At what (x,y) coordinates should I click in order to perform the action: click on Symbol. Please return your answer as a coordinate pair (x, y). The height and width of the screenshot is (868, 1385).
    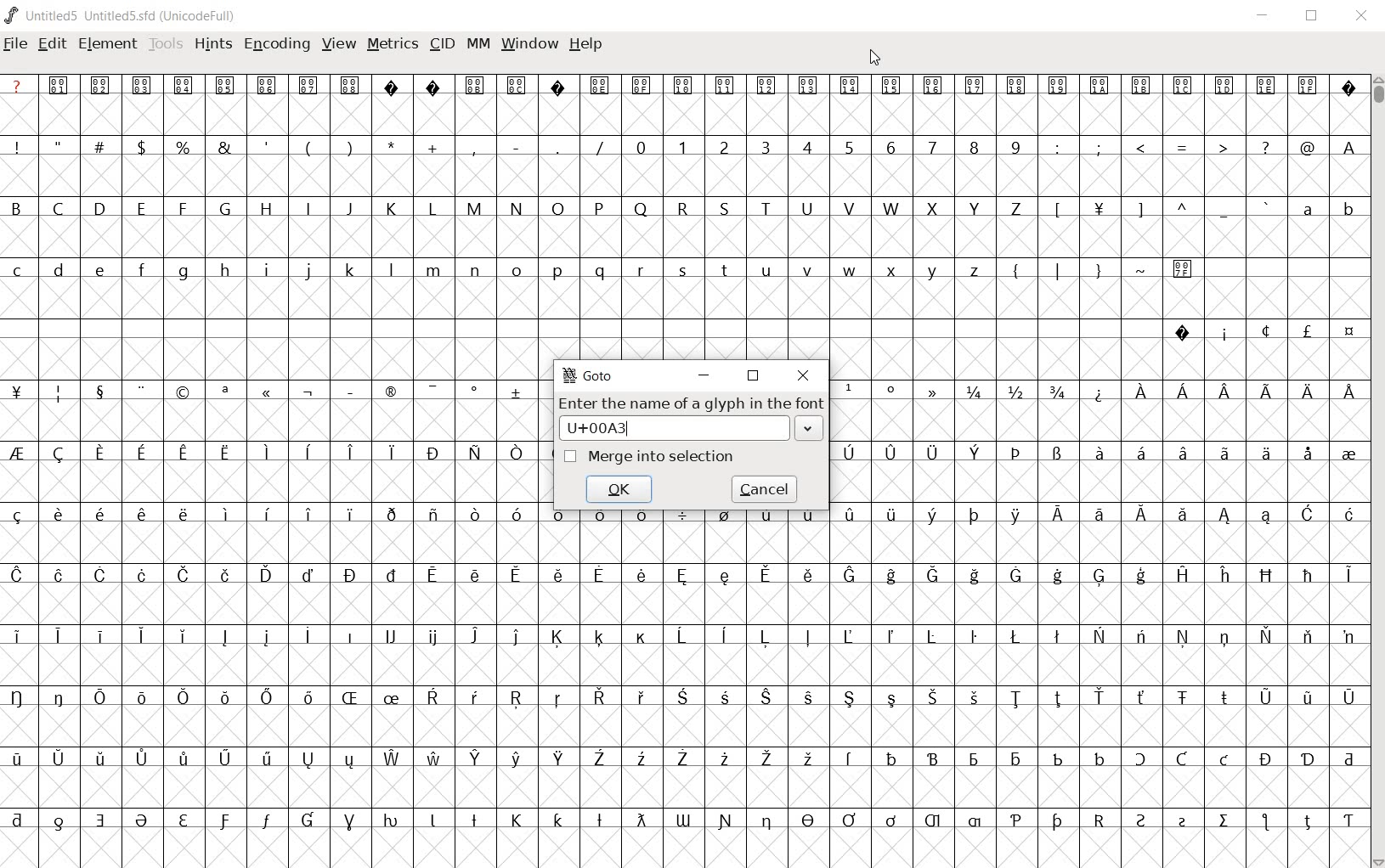
    Looking at the image, I should click on (390, 453).